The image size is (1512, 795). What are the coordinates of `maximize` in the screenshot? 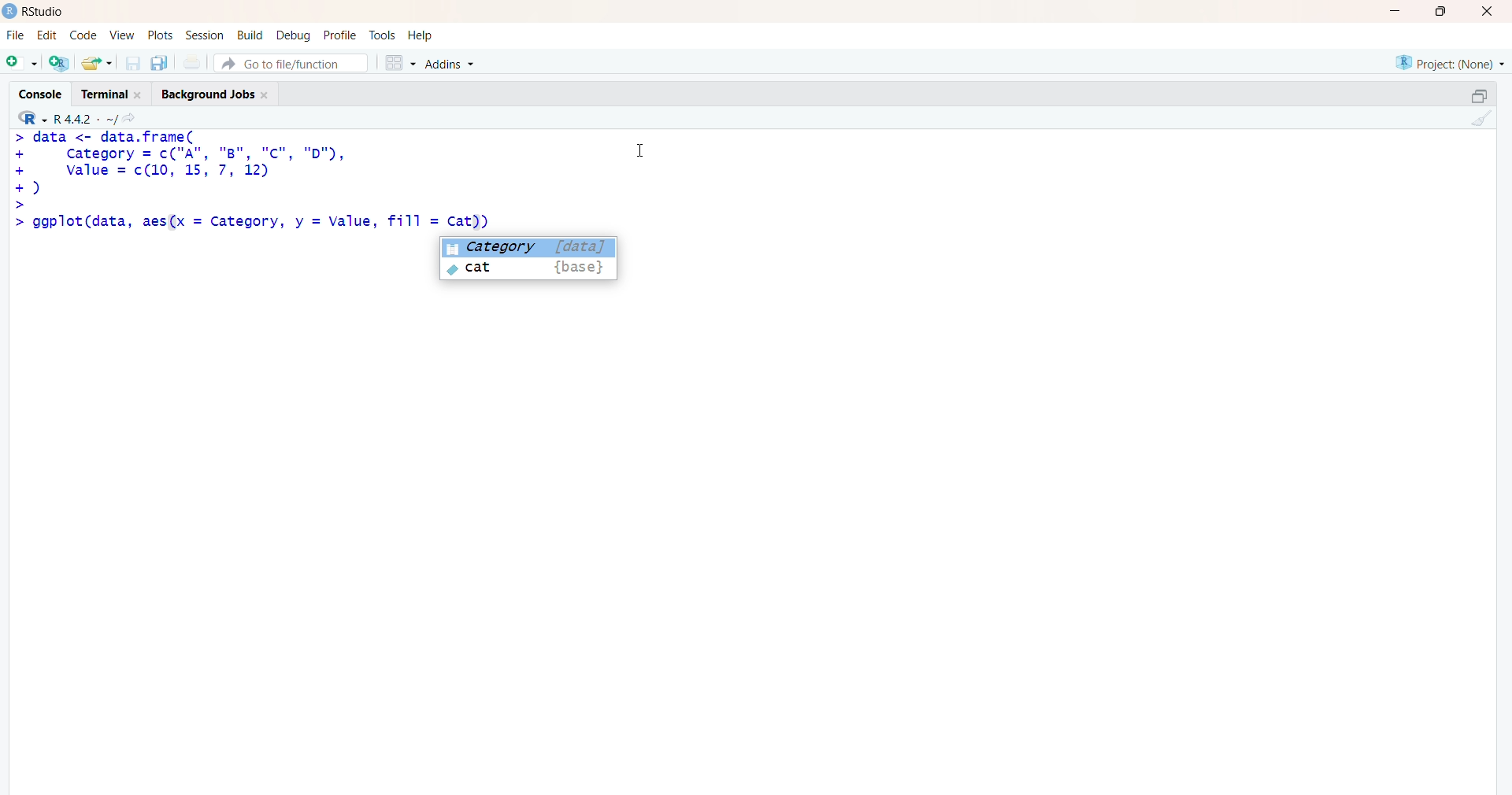 It's located at (1479, 96).